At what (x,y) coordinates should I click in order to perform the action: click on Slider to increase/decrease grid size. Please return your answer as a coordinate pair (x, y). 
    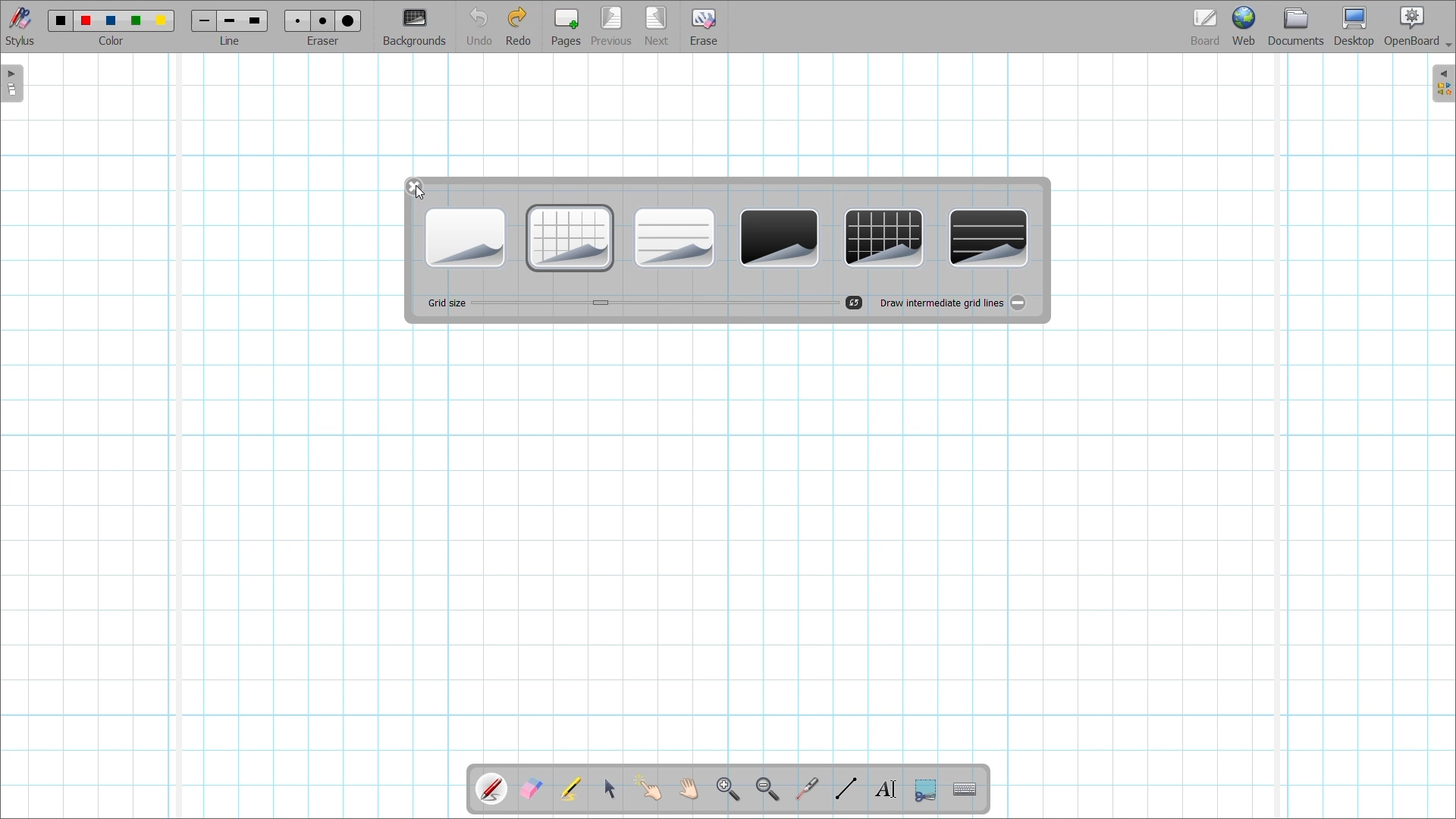
    Looking at the image, I should click on (654, 303).